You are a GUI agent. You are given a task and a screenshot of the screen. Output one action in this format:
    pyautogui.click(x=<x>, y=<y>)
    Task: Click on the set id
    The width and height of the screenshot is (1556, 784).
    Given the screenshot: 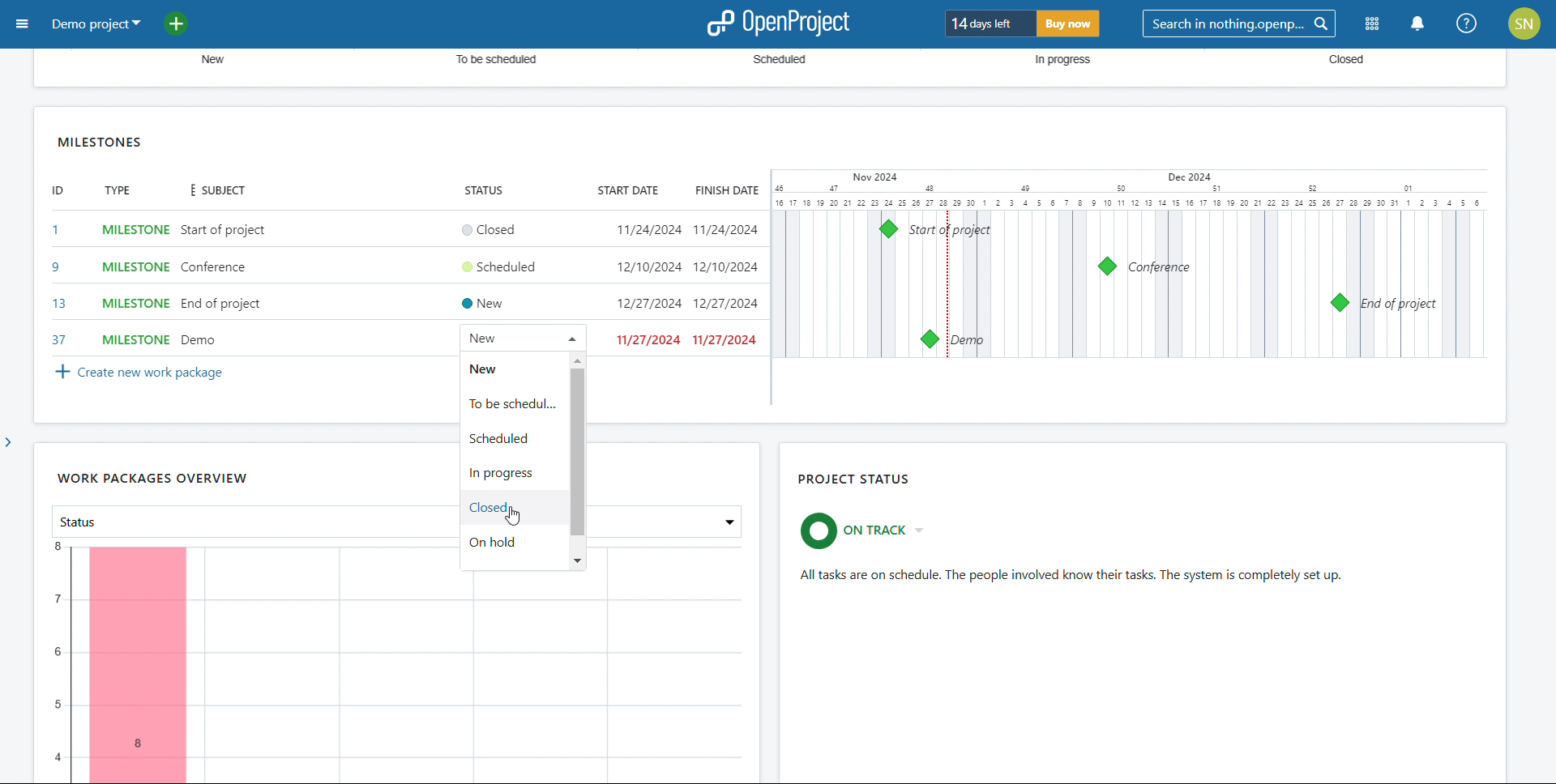 What is the action you would take?
    pyautogui.click(x=58, y=284)
    